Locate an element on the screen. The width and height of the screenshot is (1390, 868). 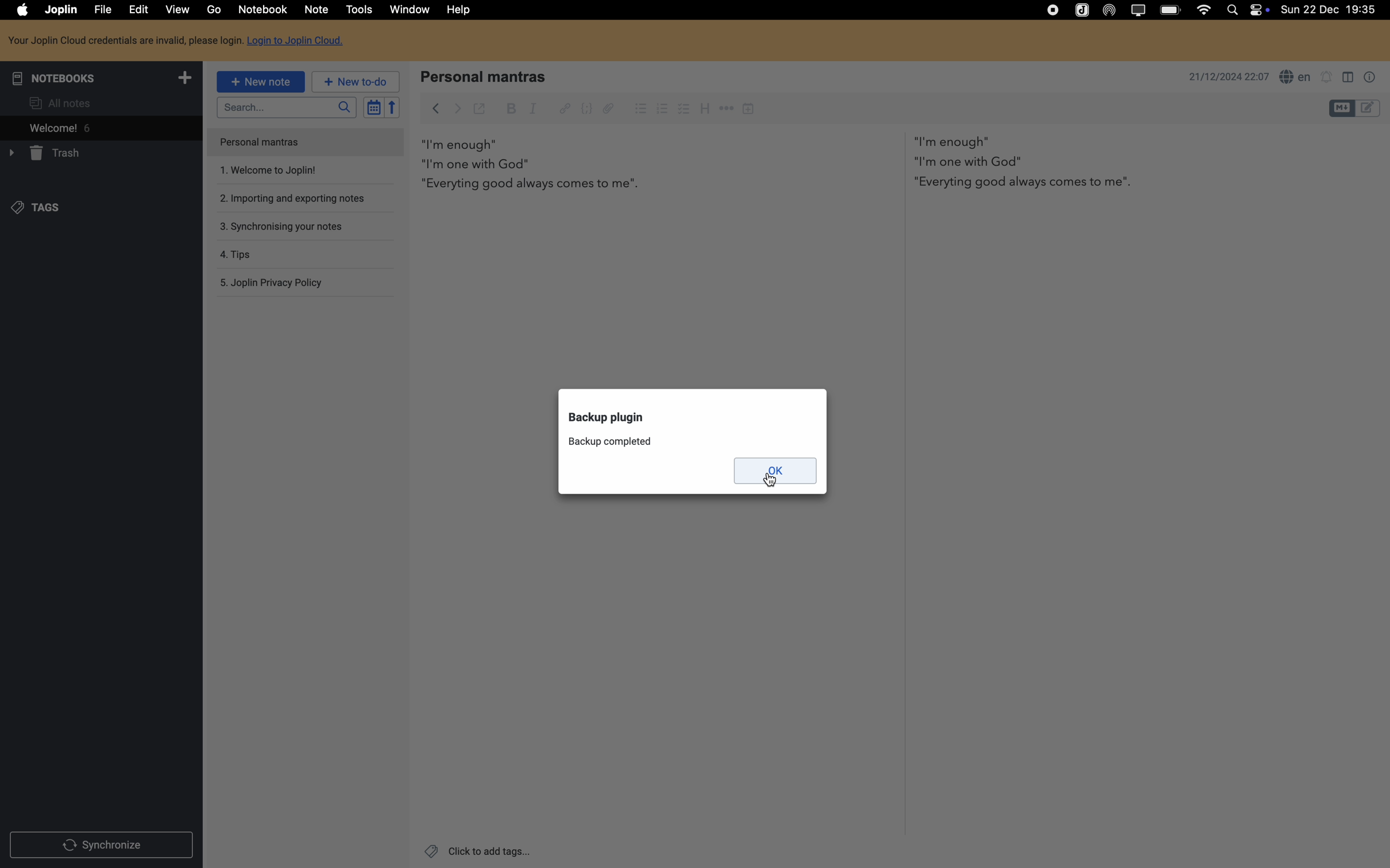
new to-do is located at coordinates (322, 82).